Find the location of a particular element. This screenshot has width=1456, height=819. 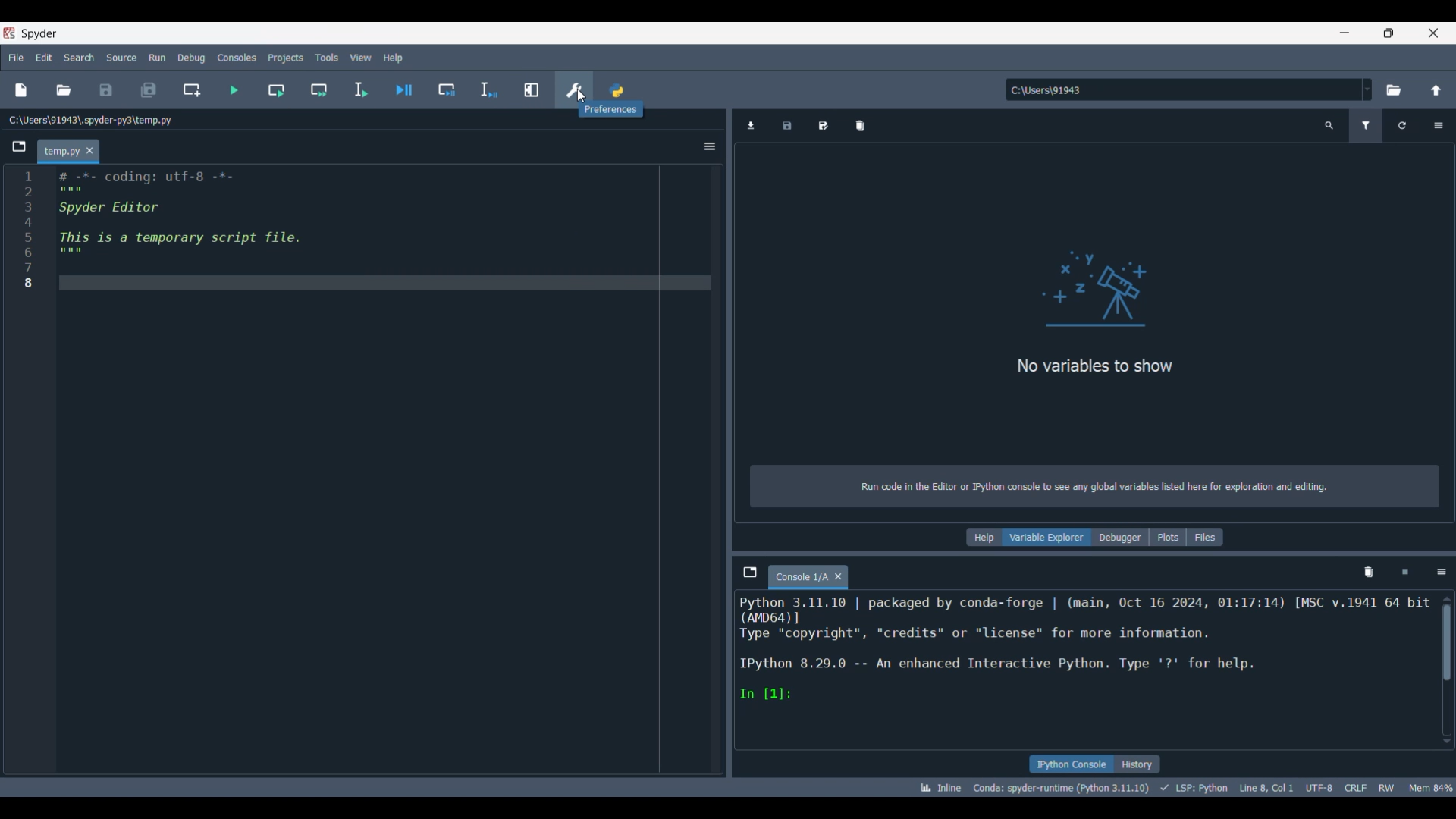

Save data is located at coordinates (786, 126).